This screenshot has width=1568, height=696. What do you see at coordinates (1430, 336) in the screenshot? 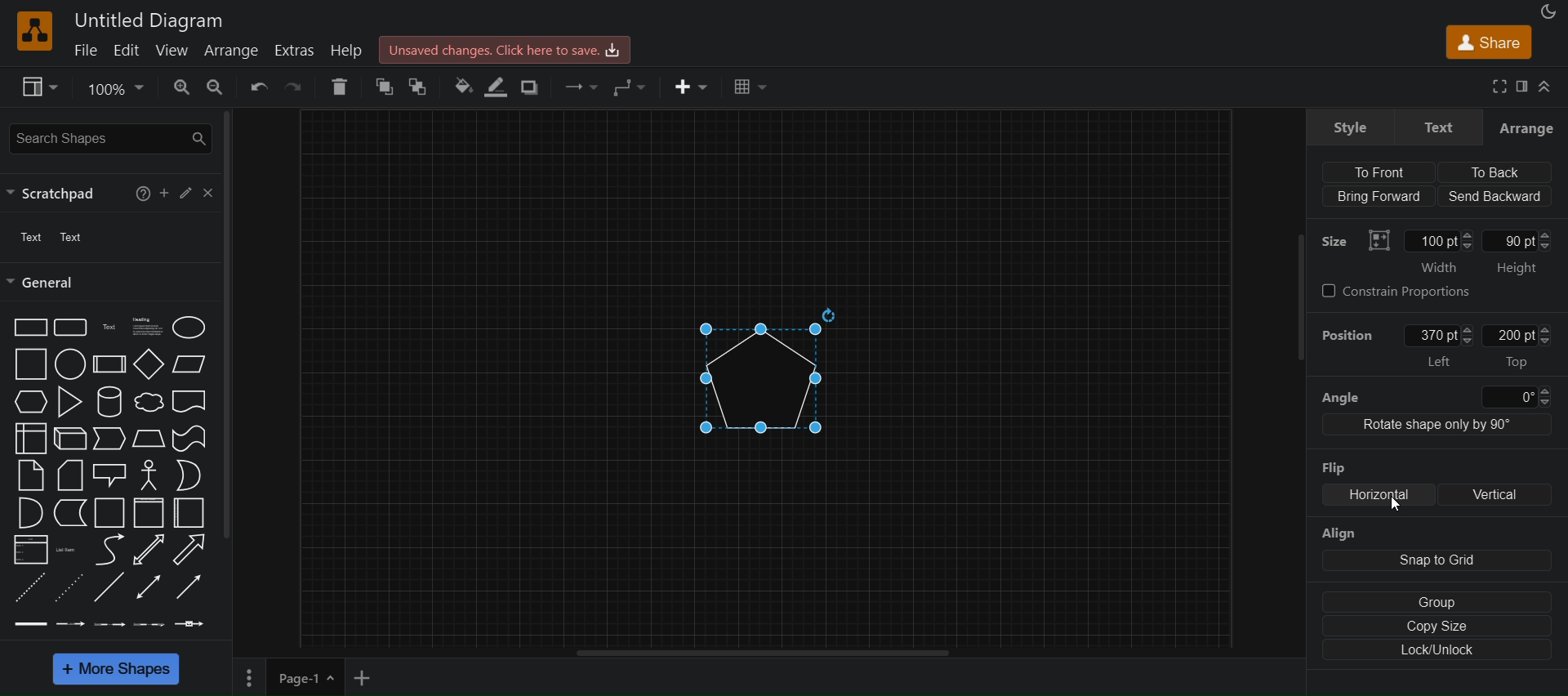
I see `Manually input left position` at bounding box center [1430, 336].